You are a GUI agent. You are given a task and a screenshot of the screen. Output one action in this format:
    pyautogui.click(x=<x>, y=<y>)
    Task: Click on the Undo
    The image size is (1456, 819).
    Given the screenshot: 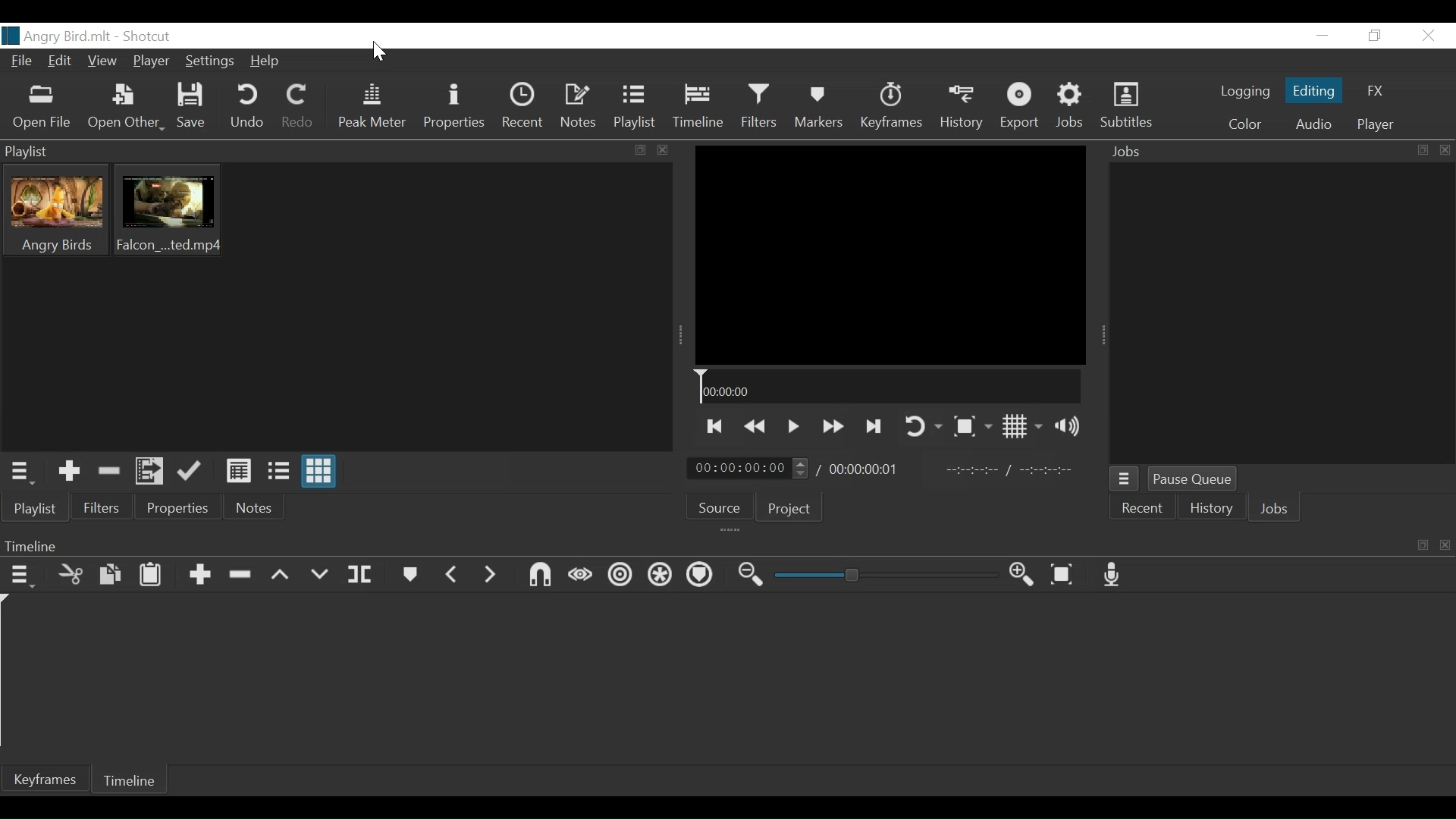 What is the action you would take?
    pyautogui.click(x=245, y=106)
    